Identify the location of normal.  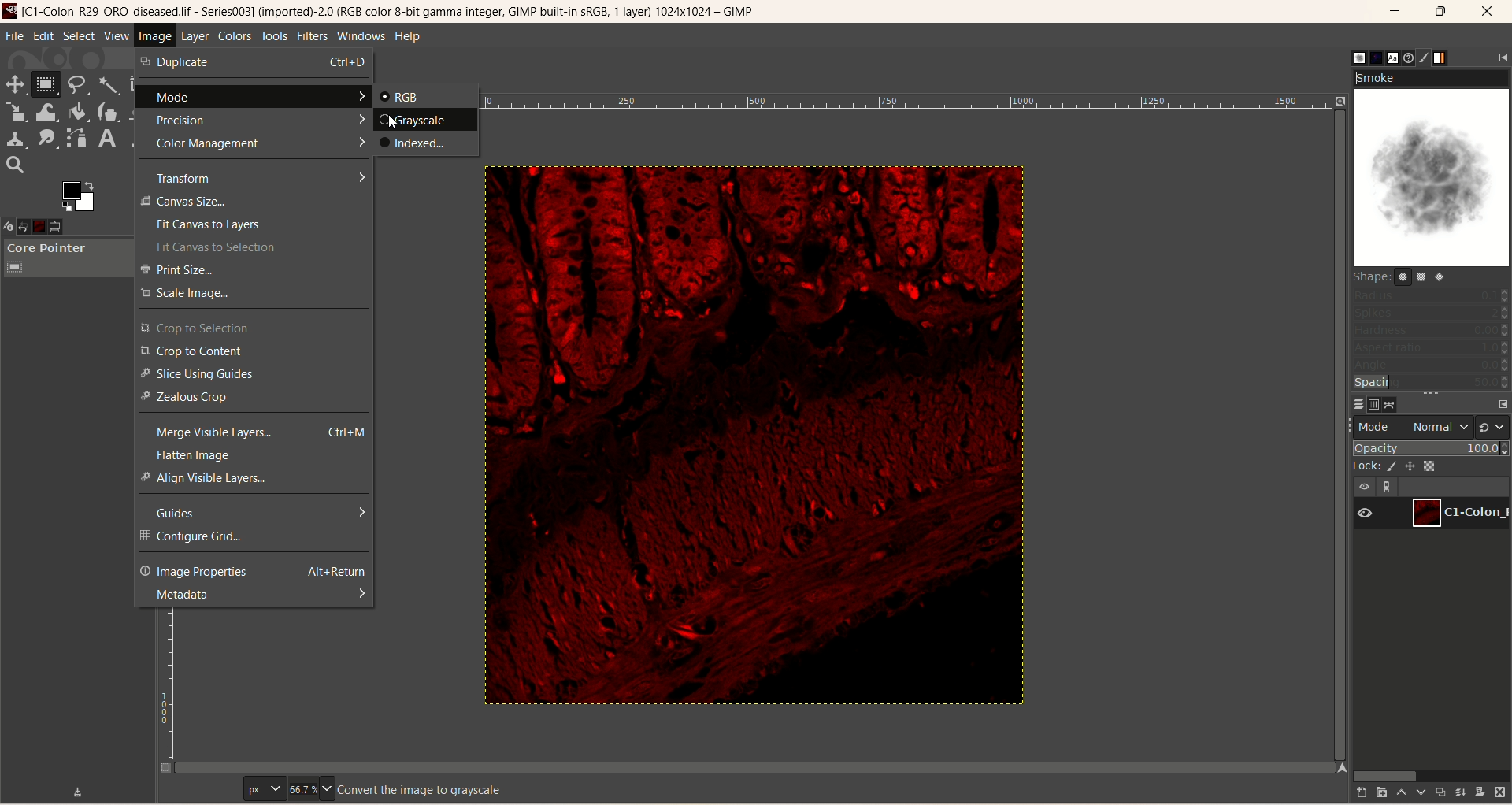
(1438, 427).